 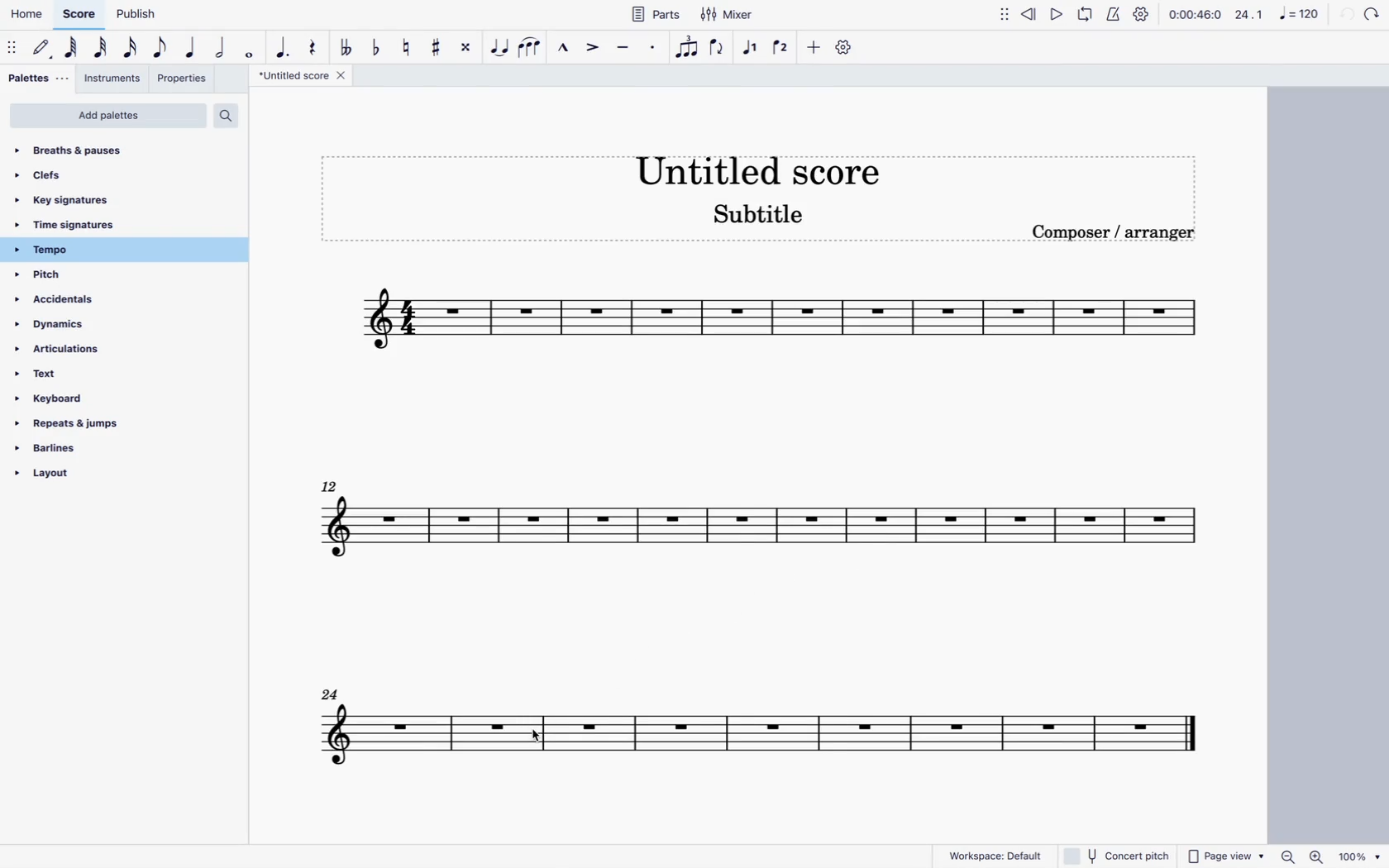 I want to click on score, so click(x=764, y=738).